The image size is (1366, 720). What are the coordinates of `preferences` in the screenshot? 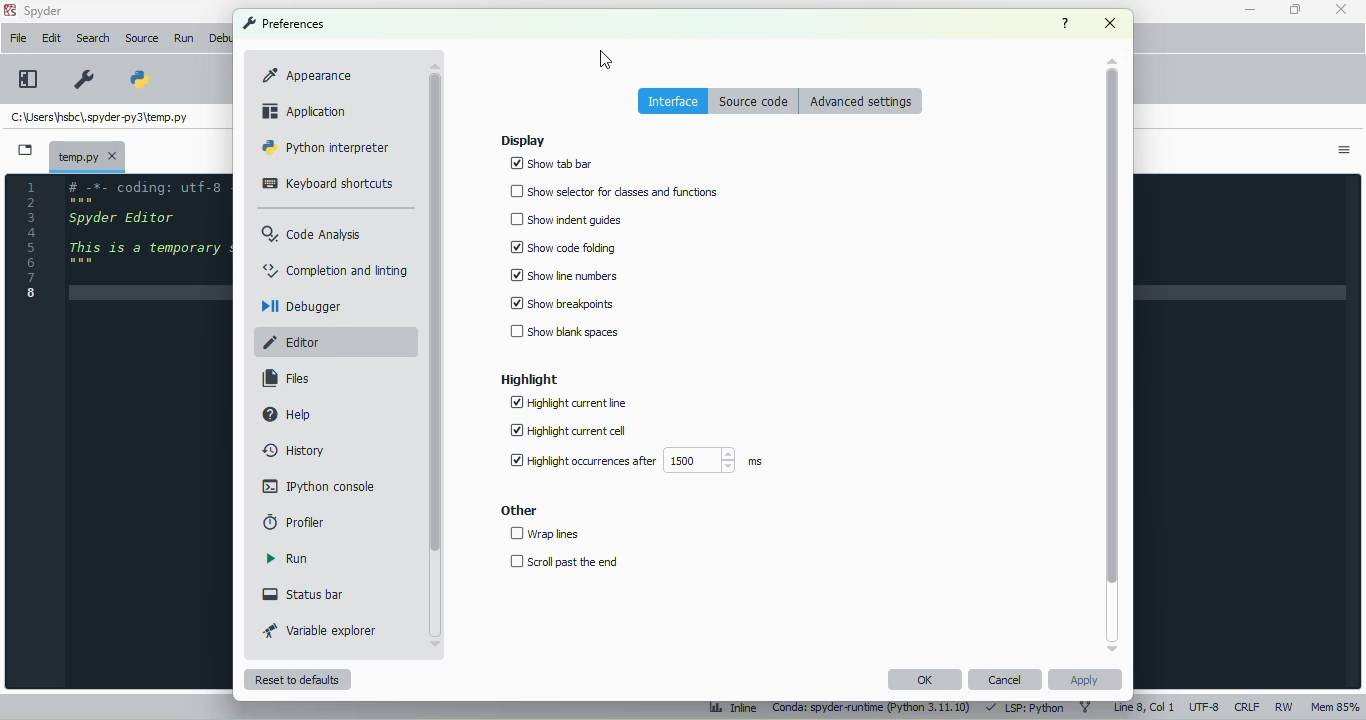 It's located at (85, 80).